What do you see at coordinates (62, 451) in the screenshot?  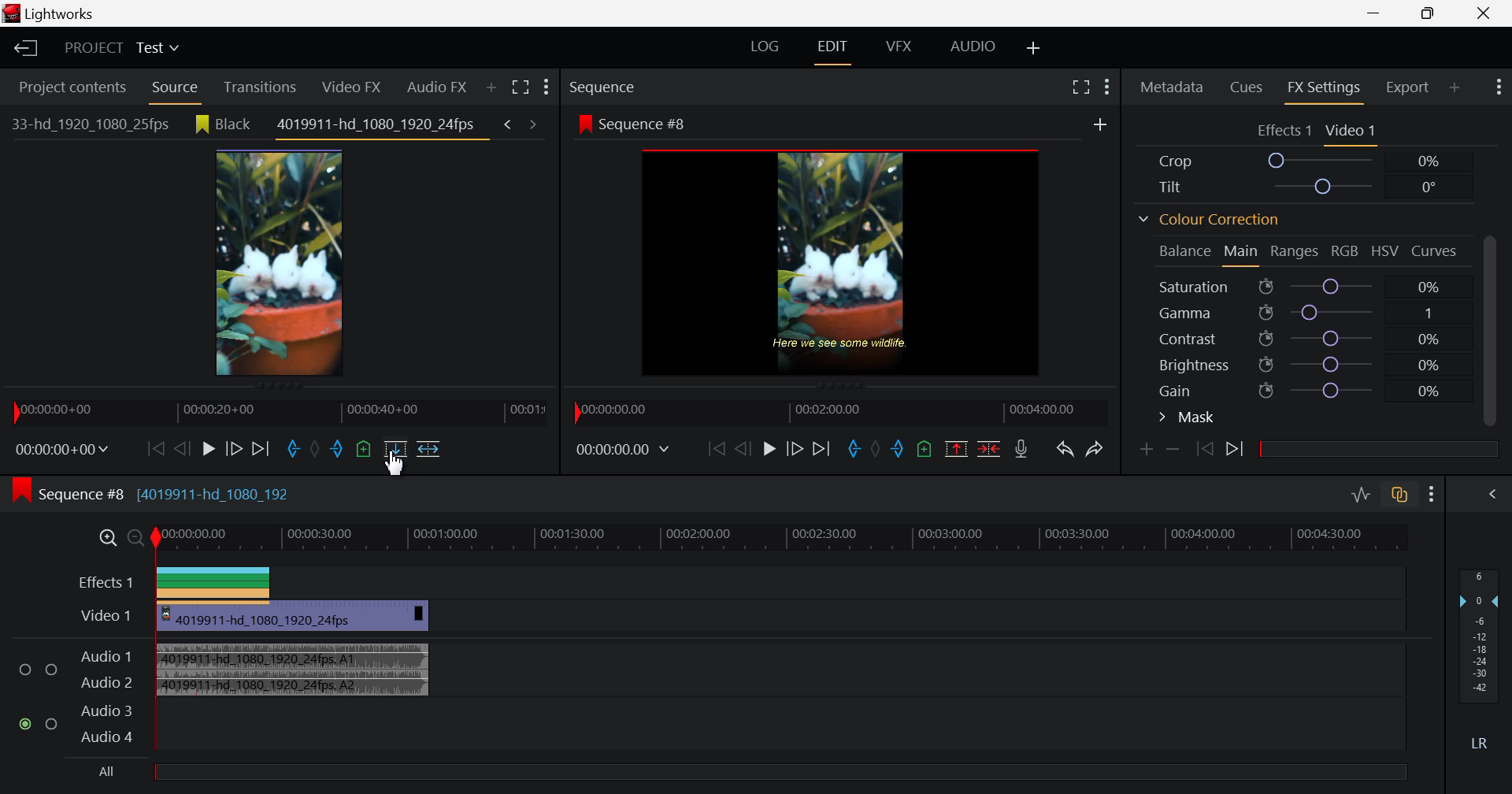 I see `Frame Time` at bounding box center [62, 451].